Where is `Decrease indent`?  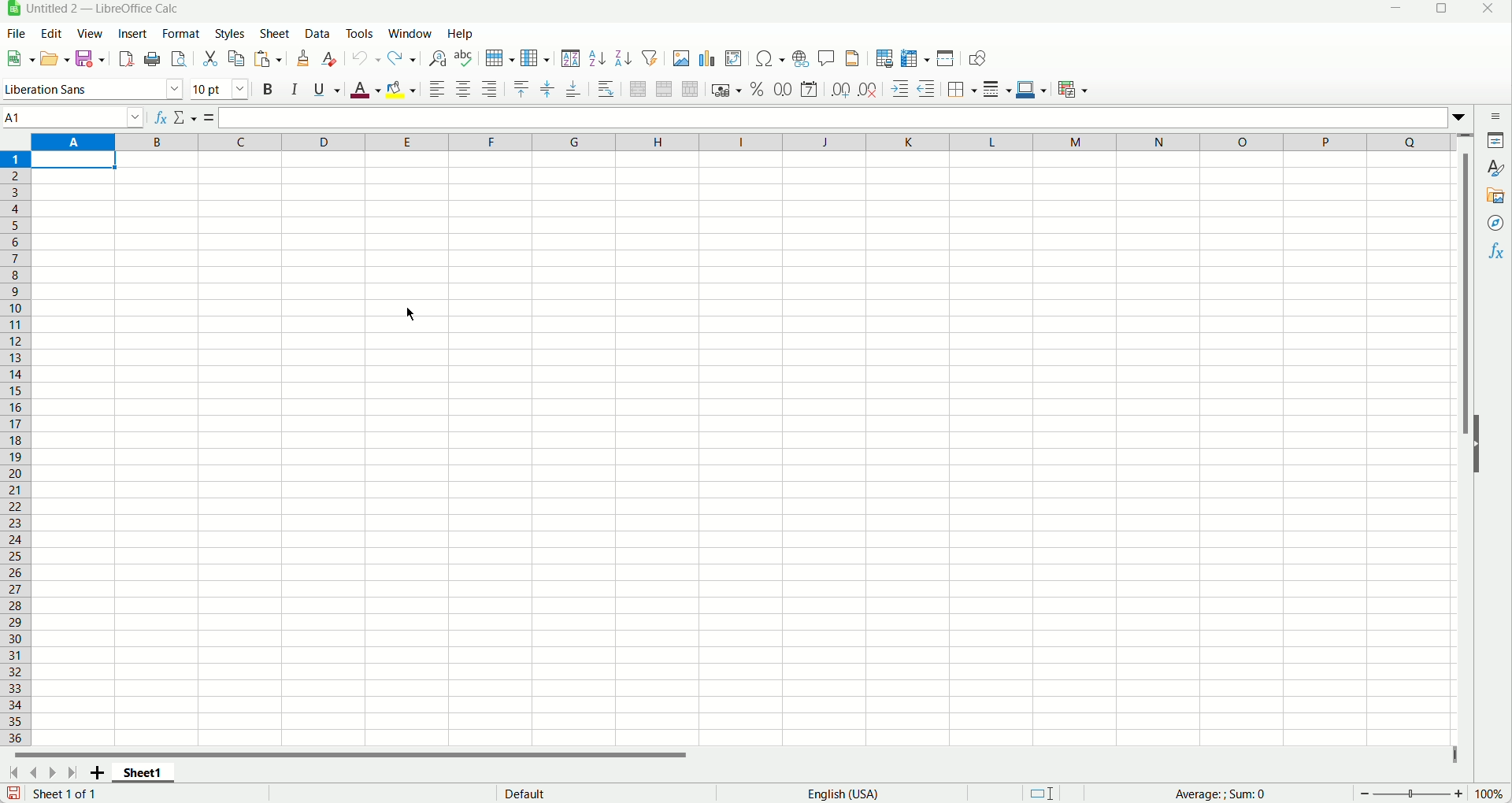 Decrease indent is located at coordinates (925, 89).